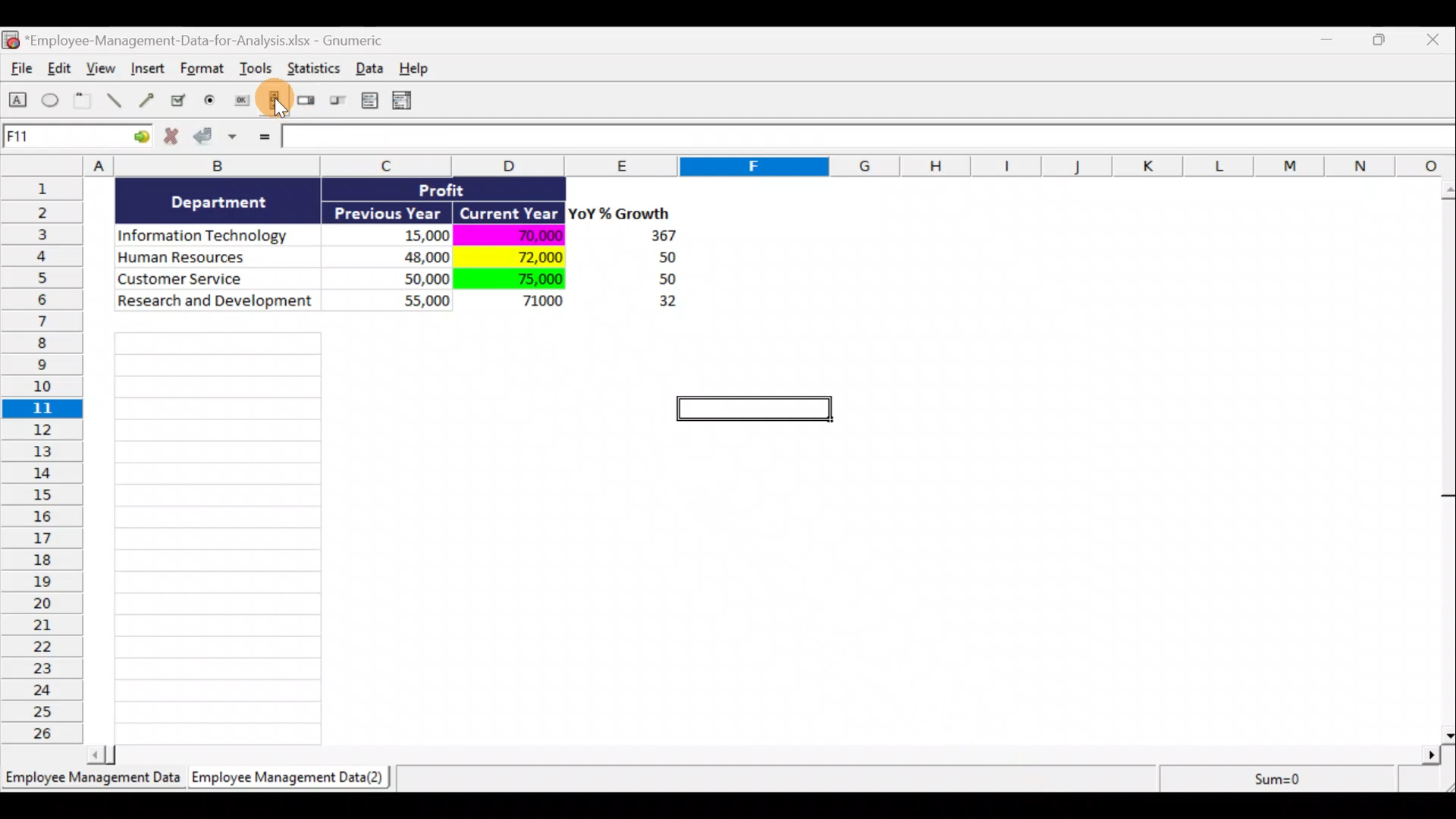 This screenshot has width=1456, height=819. What do you see at coordinates (147, 71) in the screenshot?
I see `Insert` at bounding box center [147, 71].